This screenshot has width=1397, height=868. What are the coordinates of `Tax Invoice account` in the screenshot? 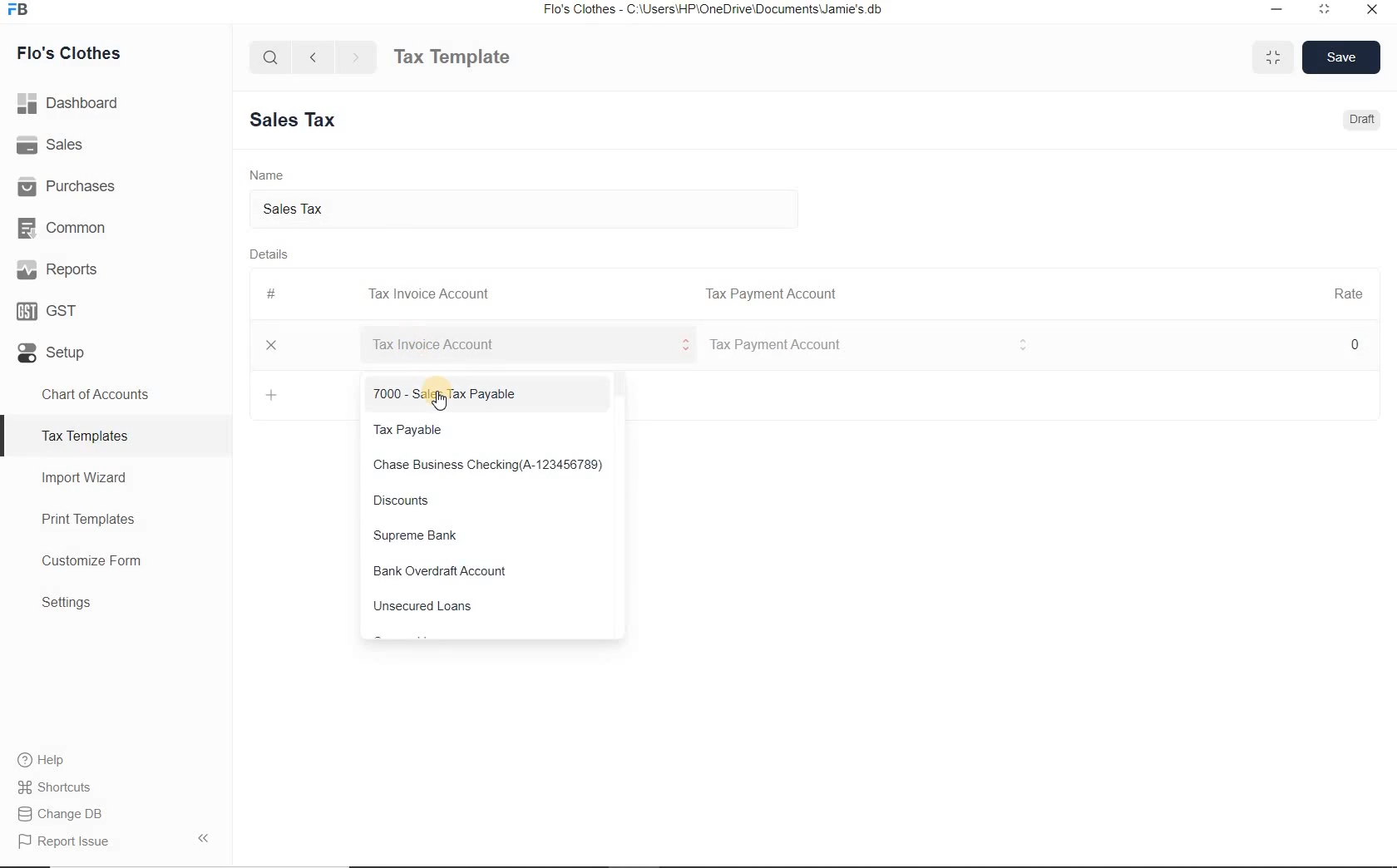 It's located at (522, 345).